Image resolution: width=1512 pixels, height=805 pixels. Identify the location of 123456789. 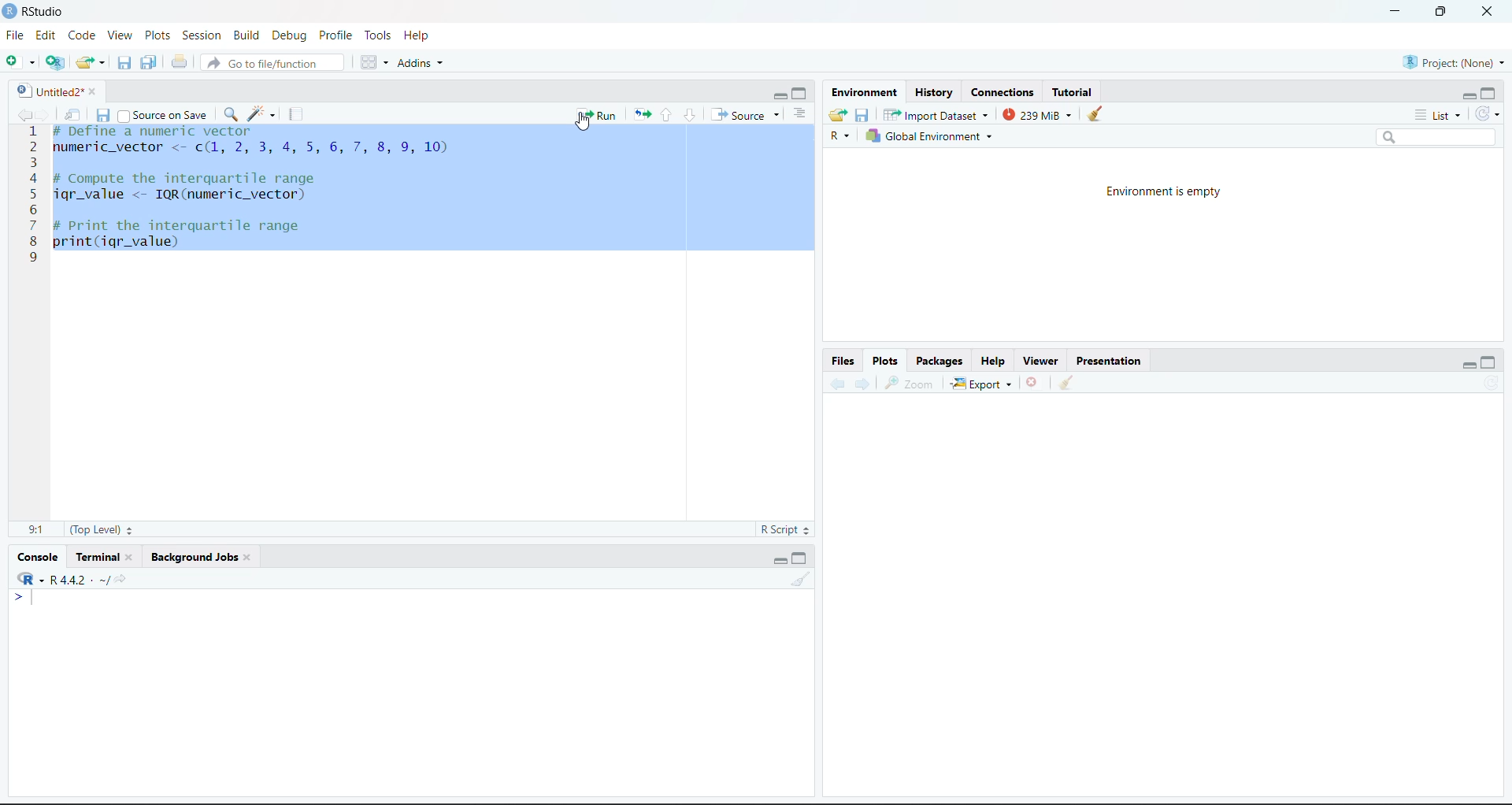
(31, 199).